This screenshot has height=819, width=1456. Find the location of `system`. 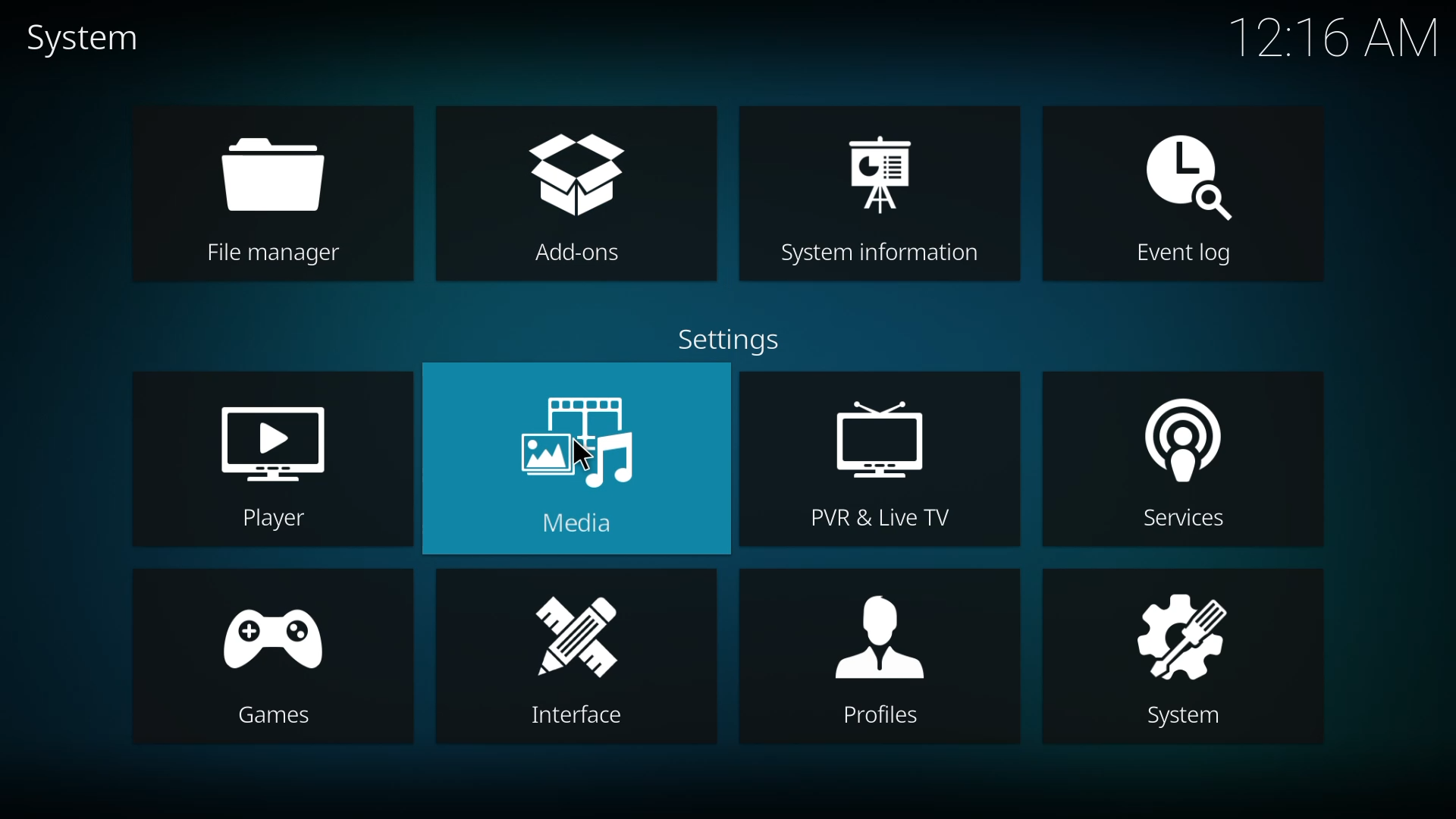

system is located at coordinates (1188, 632).